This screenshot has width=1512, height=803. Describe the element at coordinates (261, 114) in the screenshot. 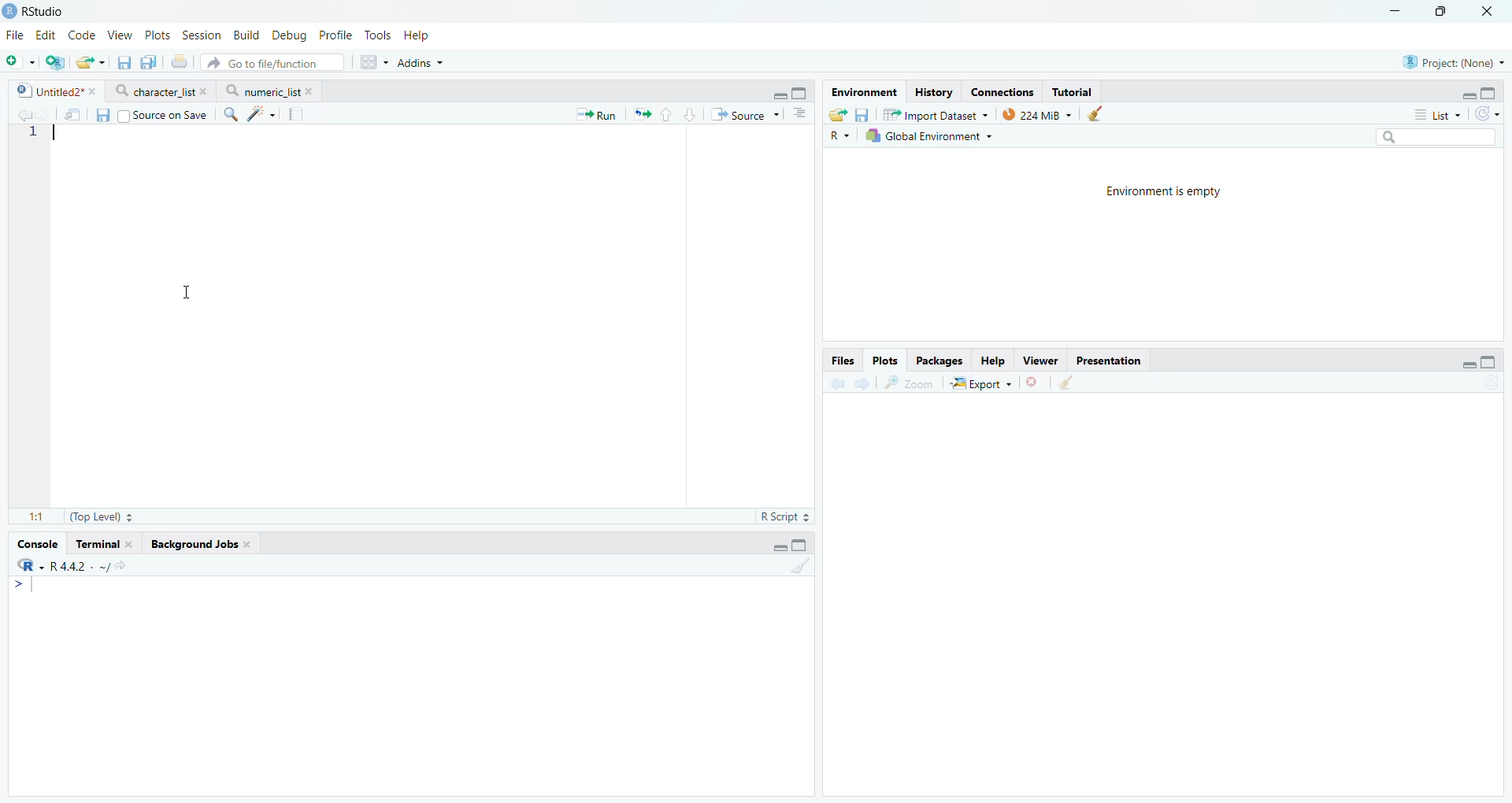

I see `Code tools` at that location.